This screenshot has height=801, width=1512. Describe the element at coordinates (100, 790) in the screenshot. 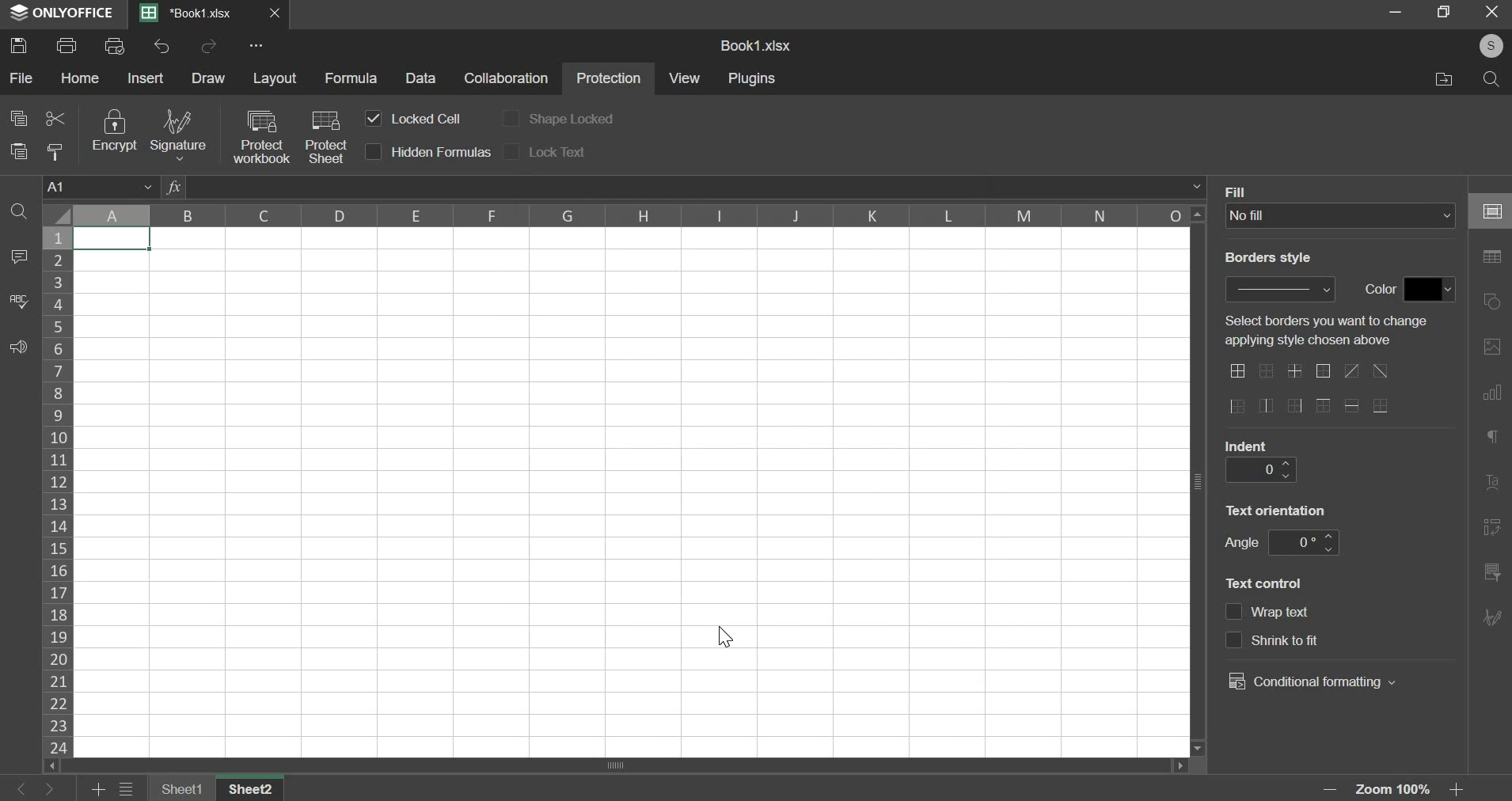

I see `add` at that location.